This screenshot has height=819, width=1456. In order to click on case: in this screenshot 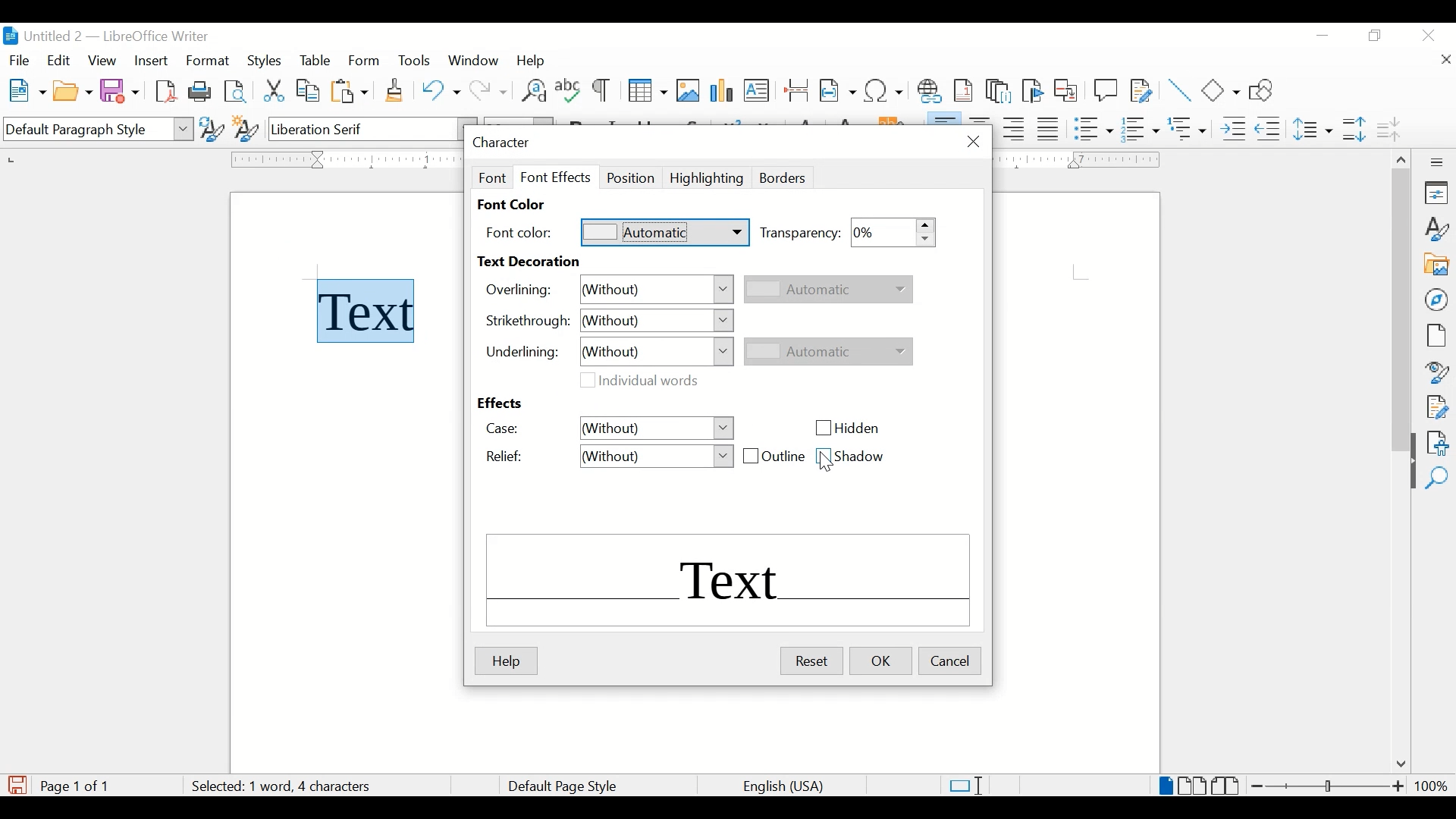, I will do `click(503, 429)`.